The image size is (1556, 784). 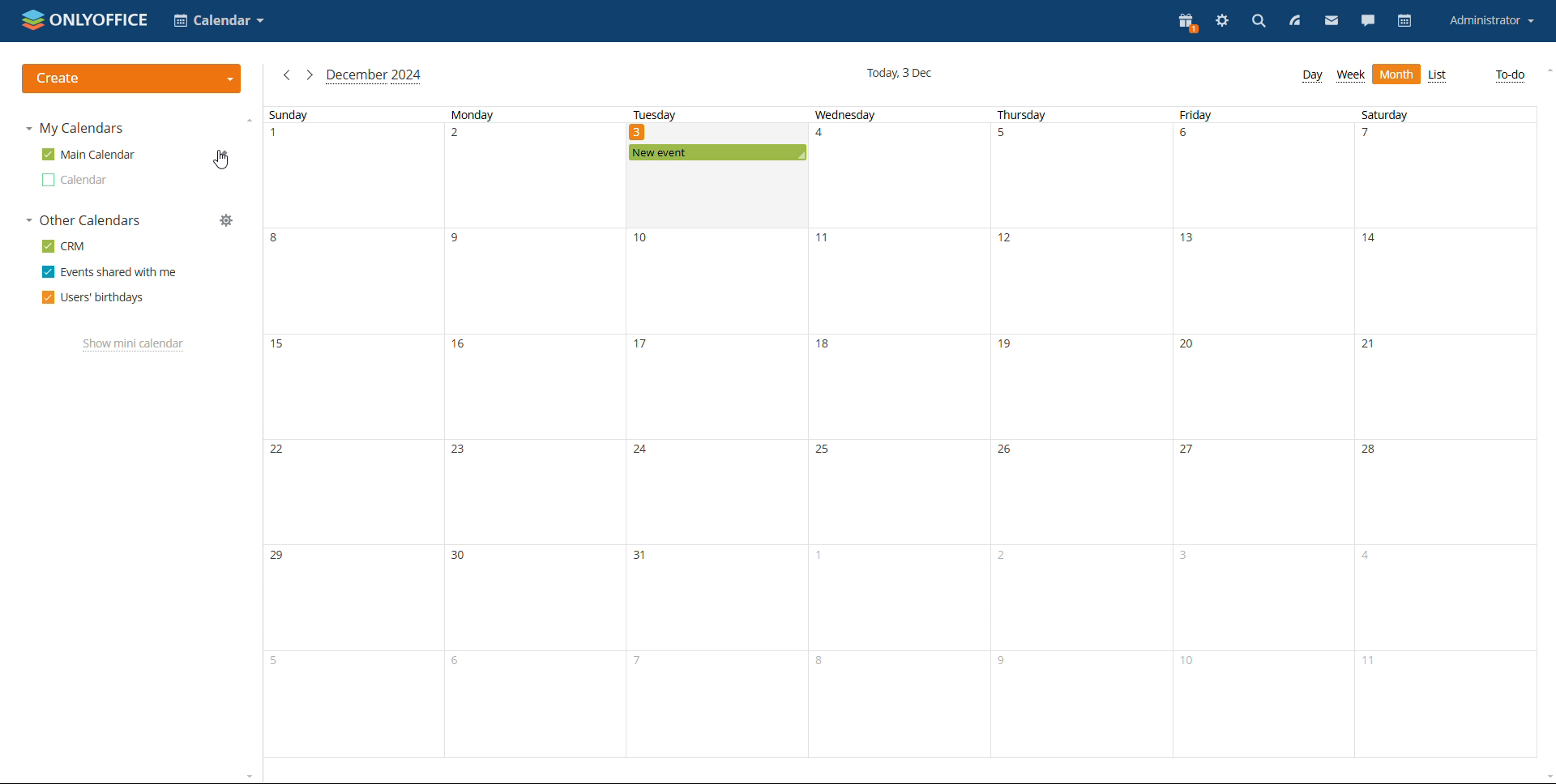 What do you see at coordinates (867, 114) in the screenshot?
I see `wednesday` at bounding box center [867, 114].